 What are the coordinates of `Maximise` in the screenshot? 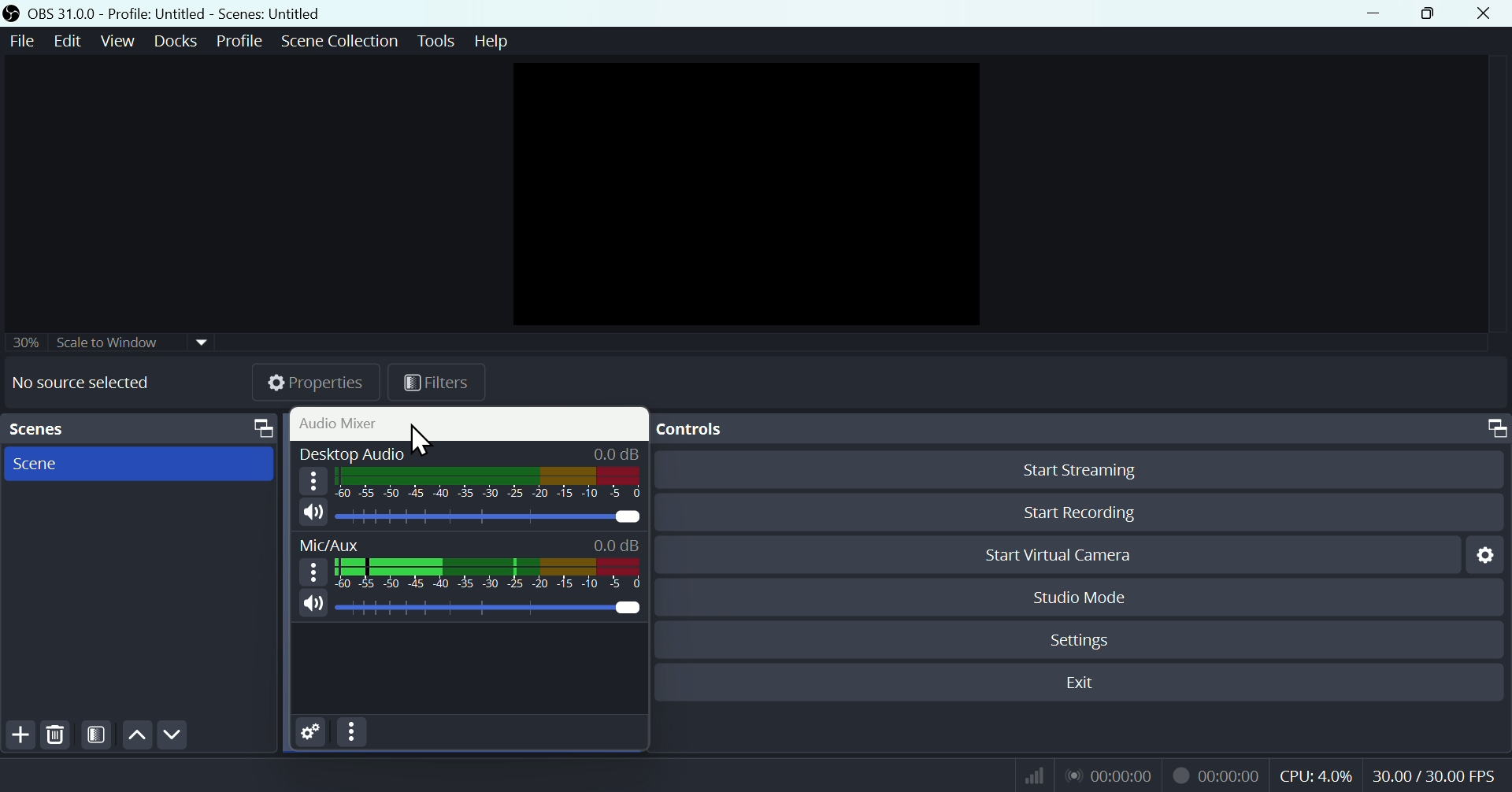 It's located at (1434, 14).